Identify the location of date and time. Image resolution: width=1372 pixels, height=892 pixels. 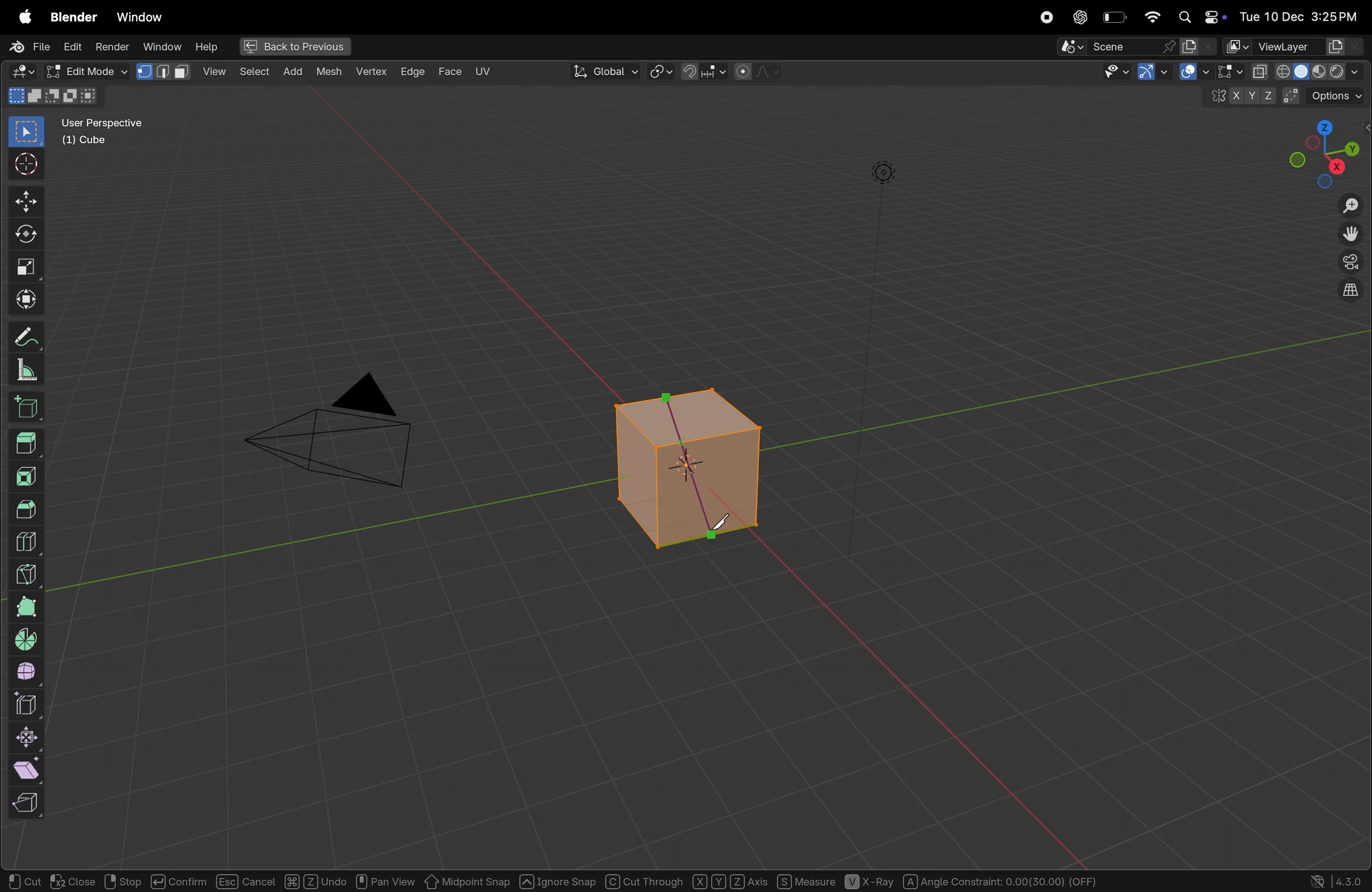
(1303, 13).